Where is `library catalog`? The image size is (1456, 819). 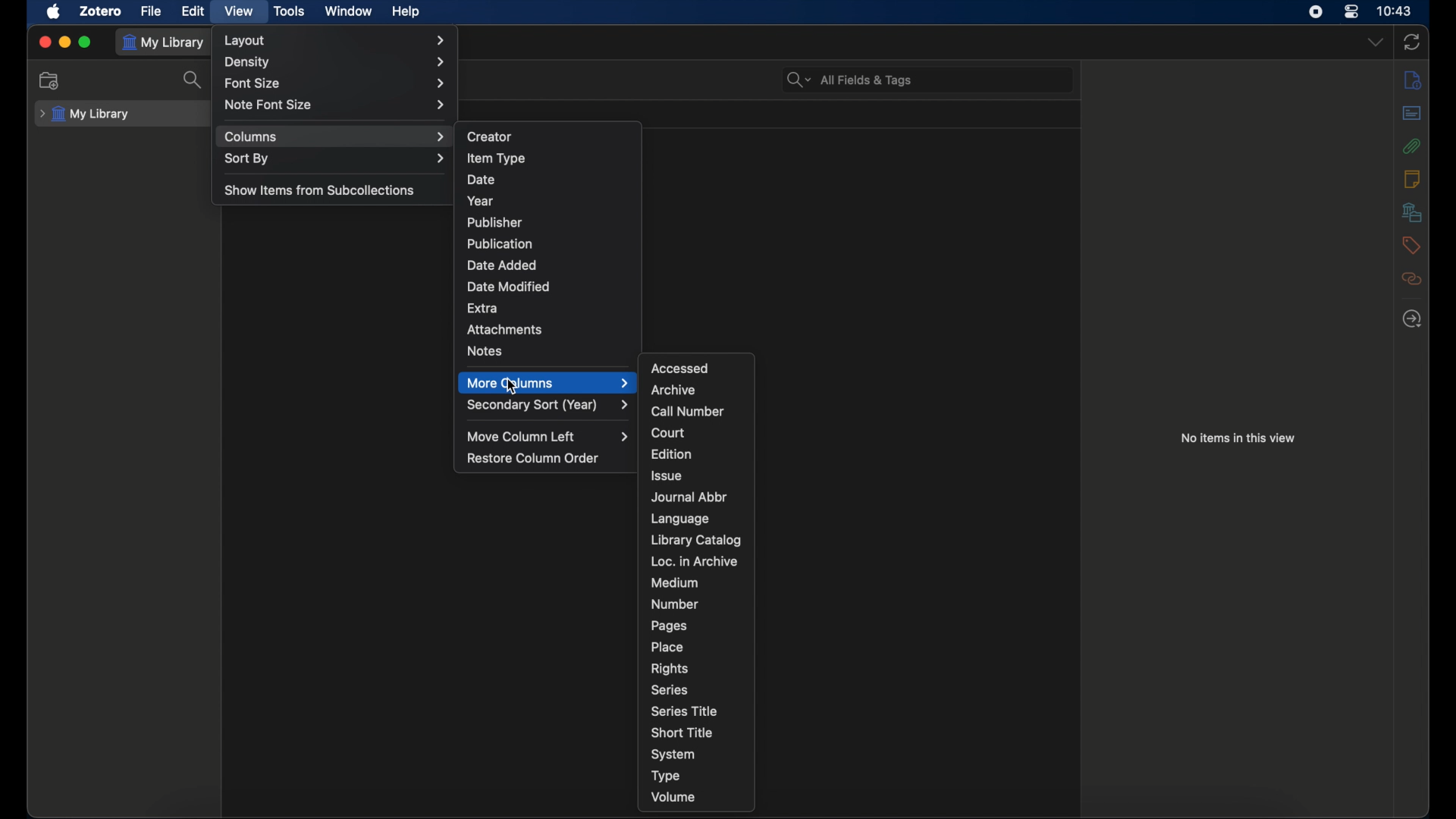
library catalog is located at coordinates (696, 540).